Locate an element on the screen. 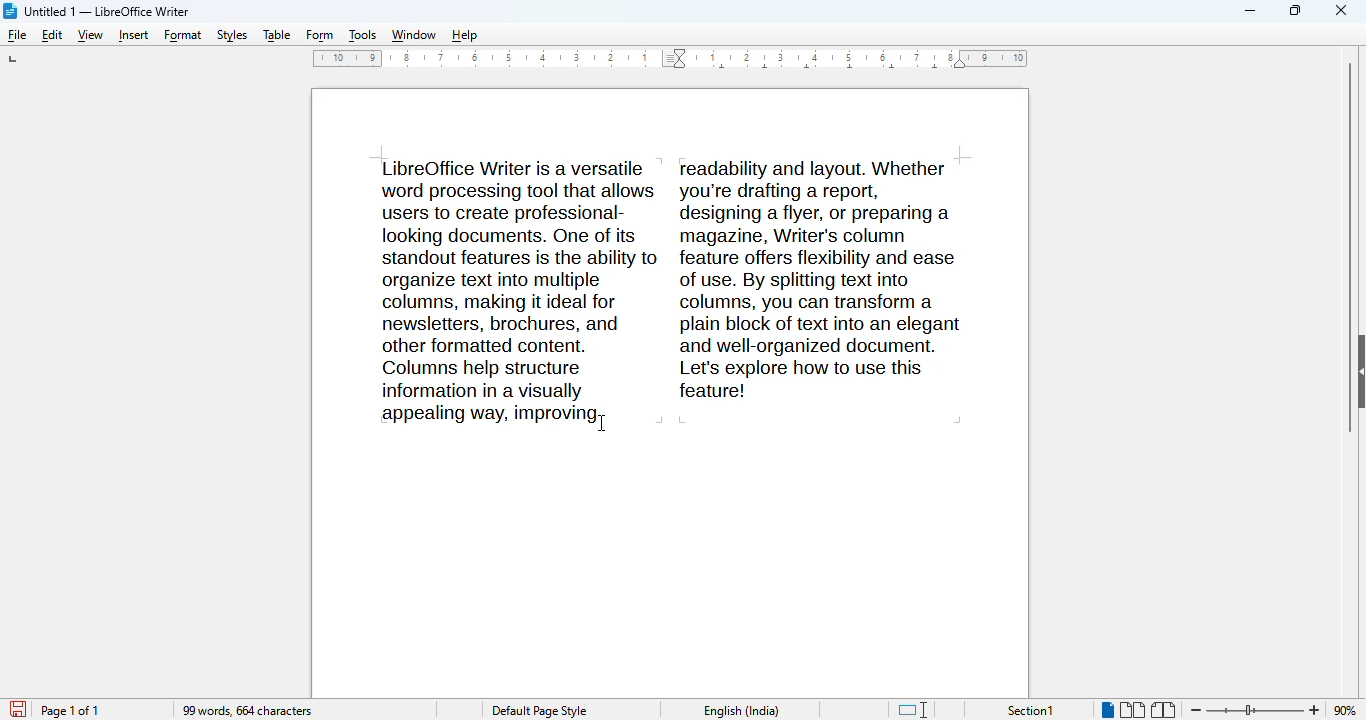 The height and width of the screenshot is (720, 1366). 9, 10 is located at coordinates (1002, 58).